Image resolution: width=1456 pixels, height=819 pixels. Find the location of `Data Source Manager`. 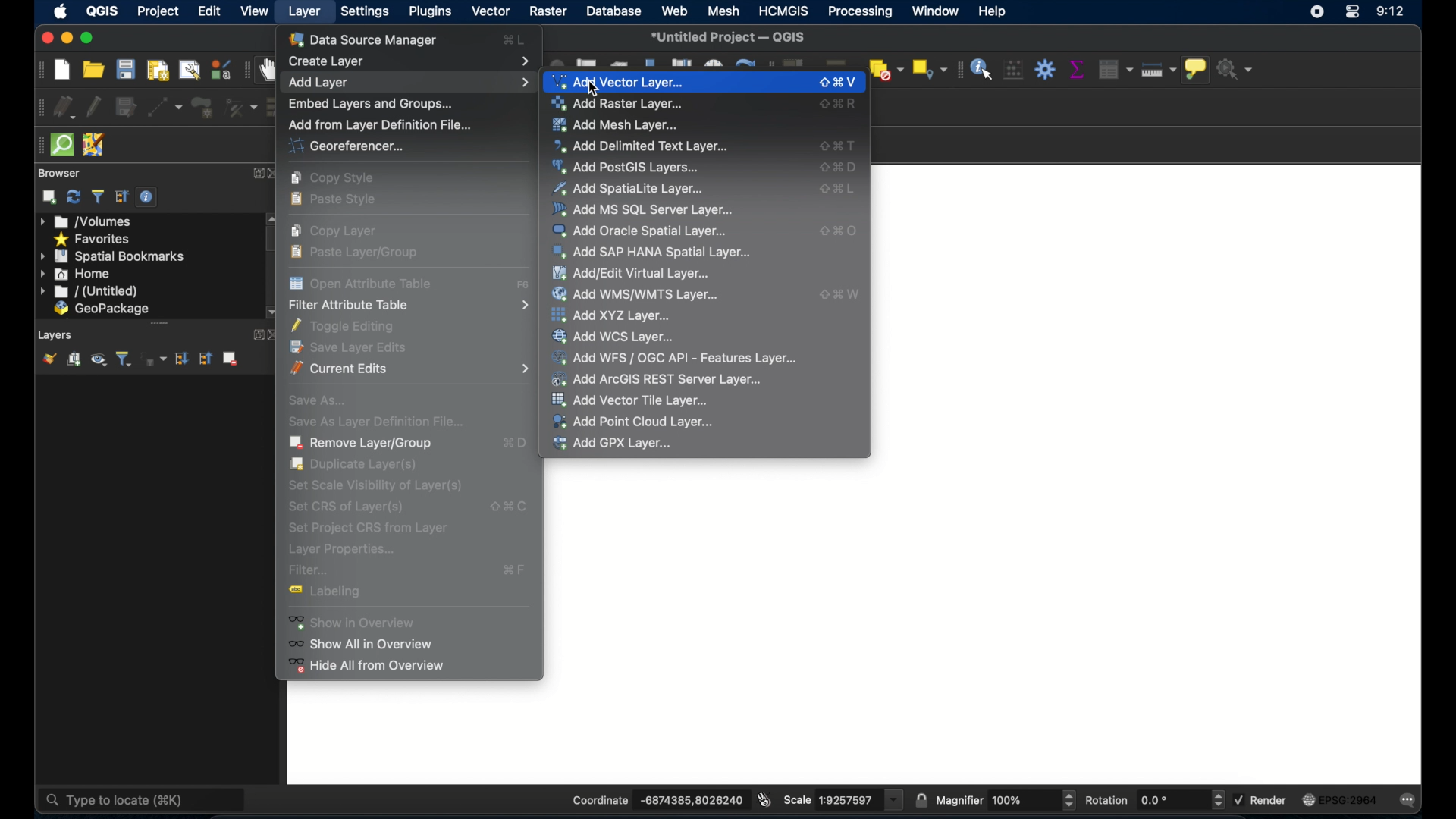

Data Source Manager is located at coordinates (406, 40).